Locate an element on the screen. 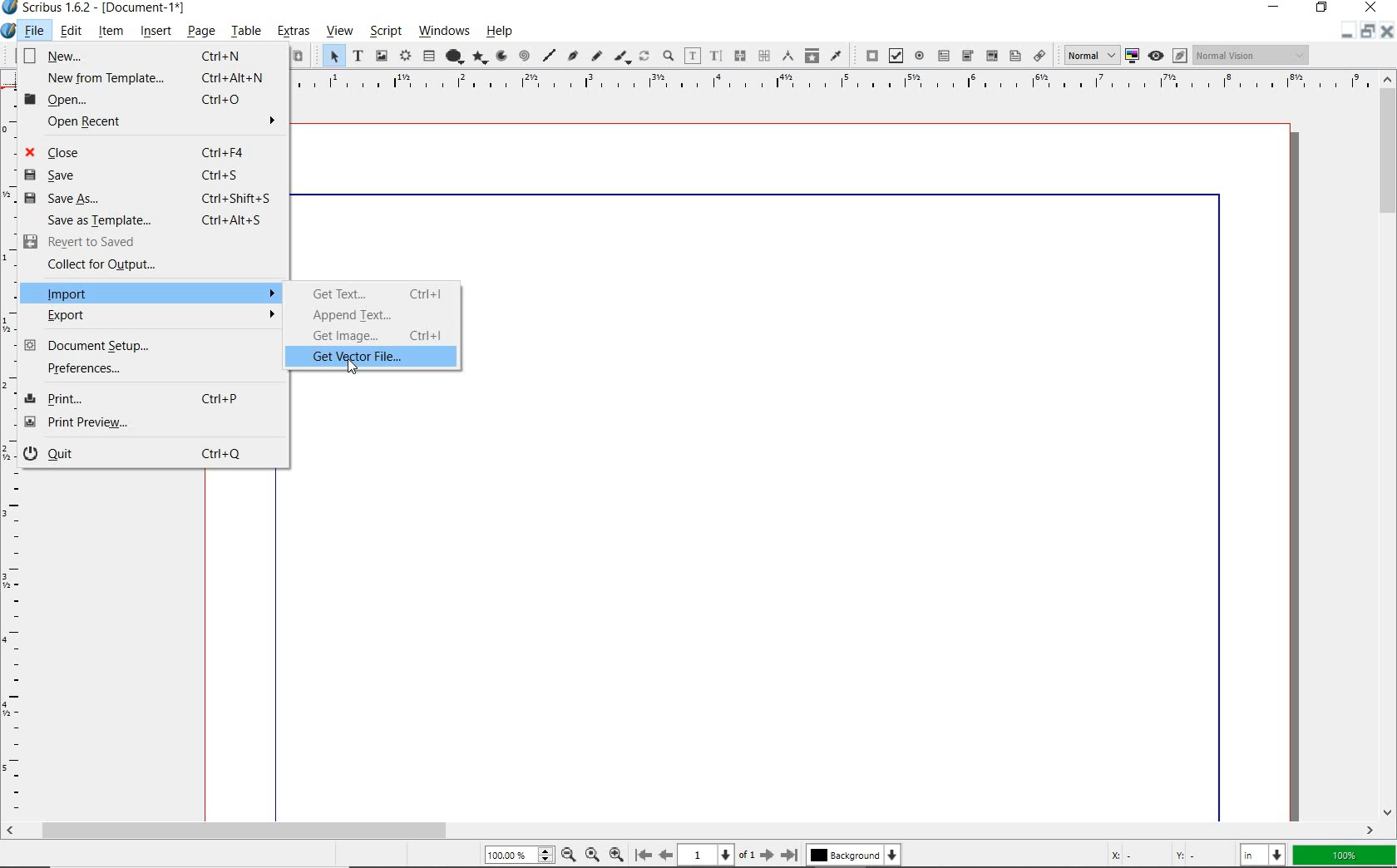  Preferences... is located at coordinates (151, 369).